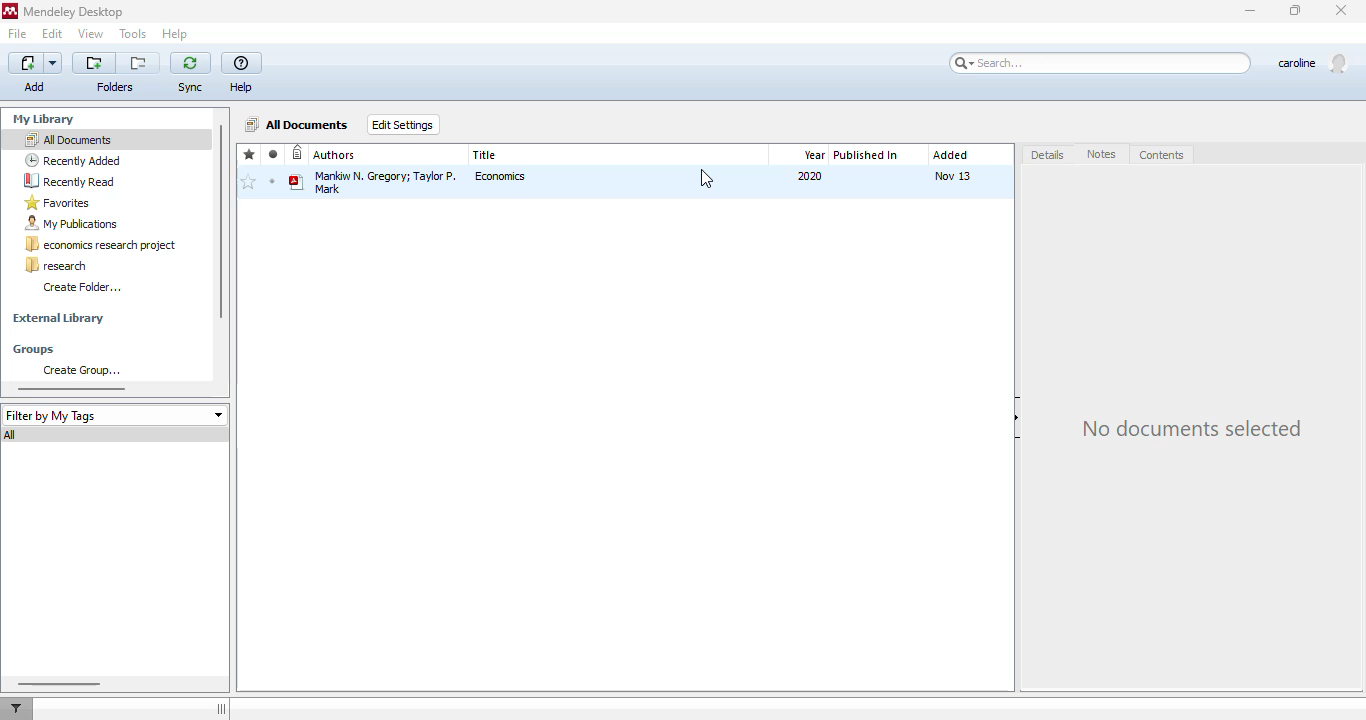  I want to click on edit, so click(52, 33).